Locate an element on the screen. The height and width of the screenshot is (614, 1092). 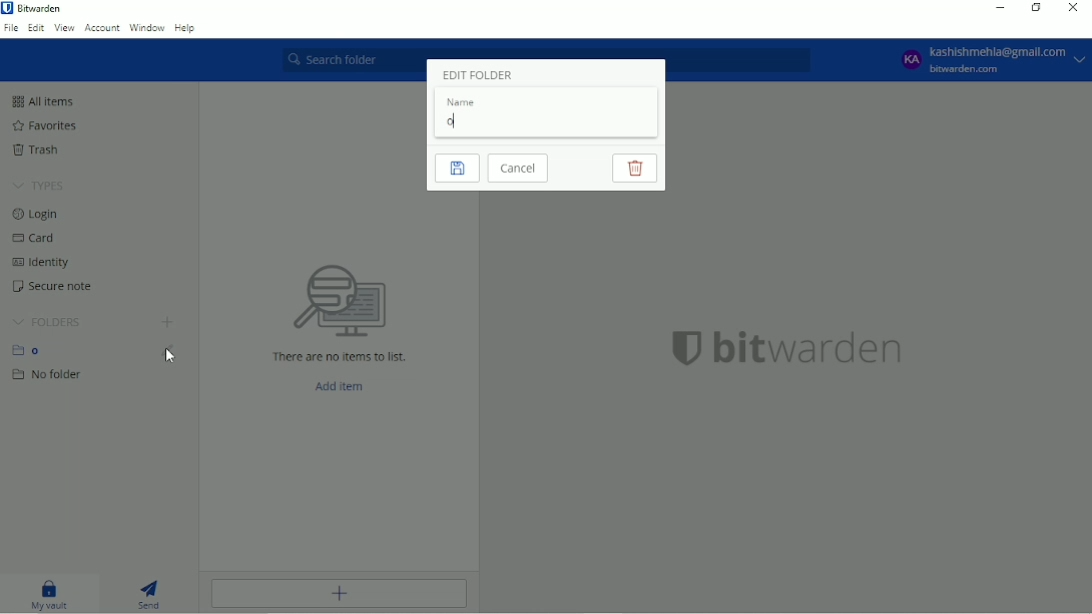
Cancel is located at coordinates (518, 168).